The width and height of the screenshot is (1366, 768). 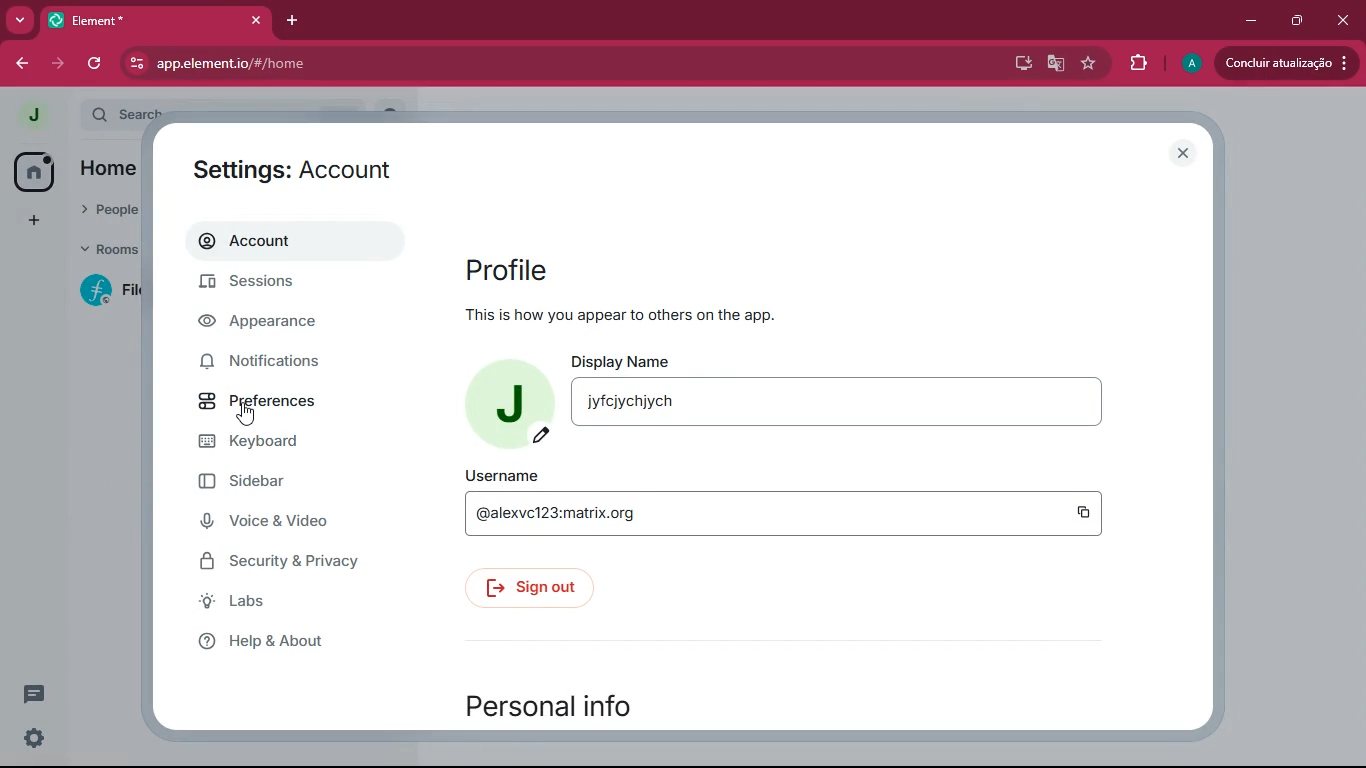 I want to click on extensions, so click(x=1137, y=61).